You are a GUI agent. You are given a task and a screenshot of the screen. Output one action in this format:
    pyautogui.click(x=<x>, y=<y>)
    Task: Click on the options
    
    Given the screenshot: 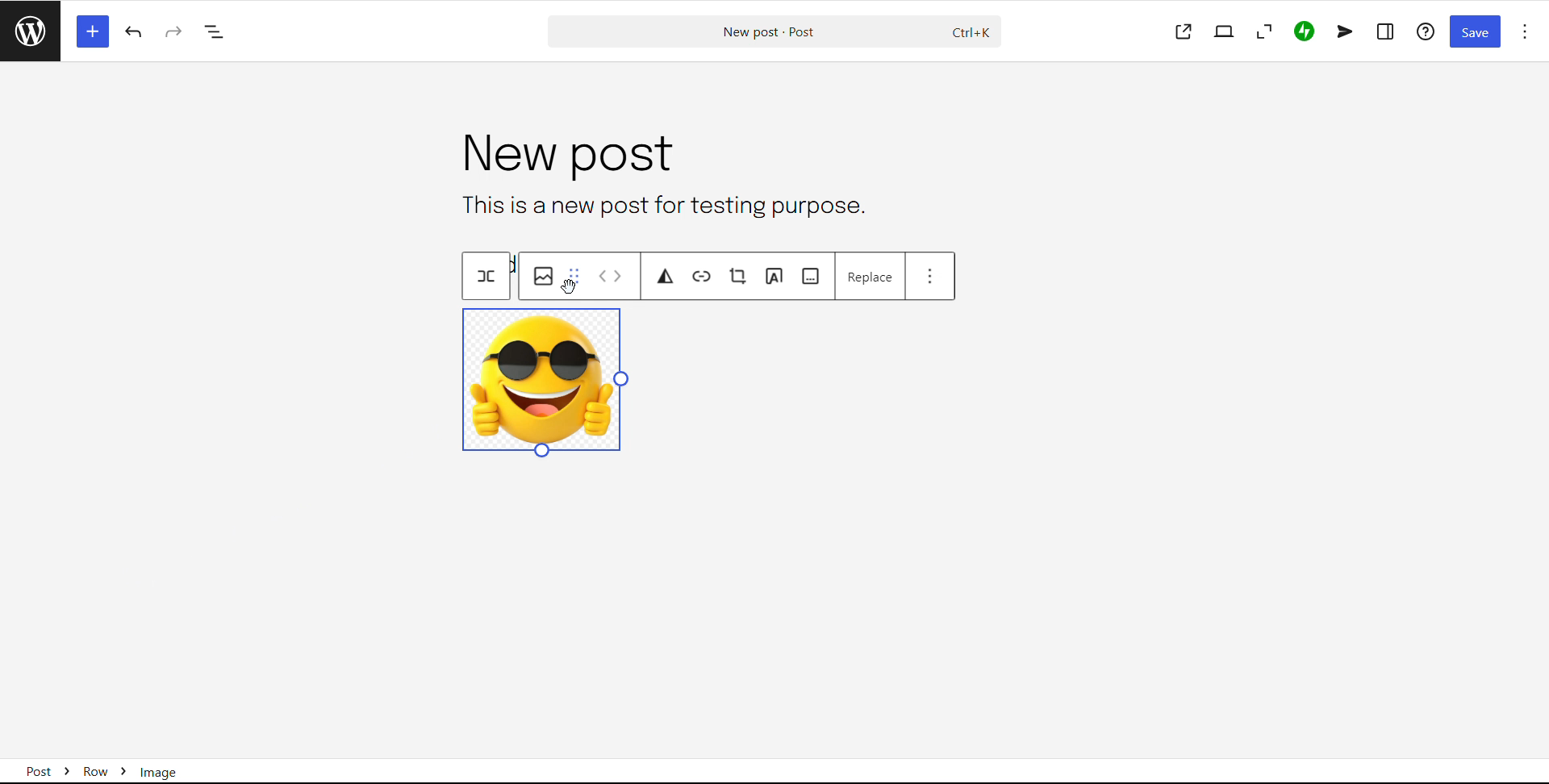 What is the action you would take?
    pyautogui.click(x=1525, y=31)
    